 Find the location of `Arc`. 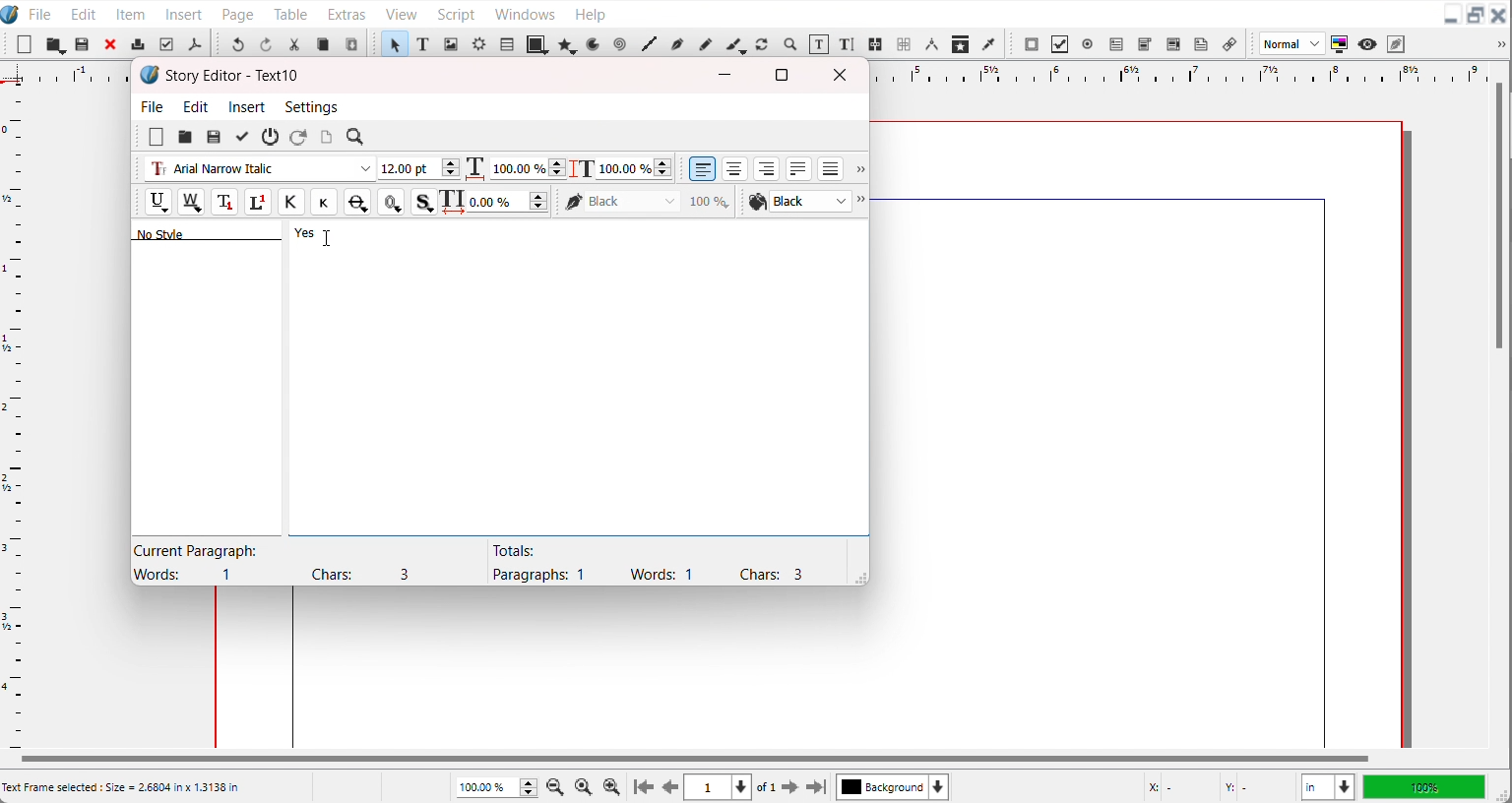

Arc is located at coordinates (595, 43).